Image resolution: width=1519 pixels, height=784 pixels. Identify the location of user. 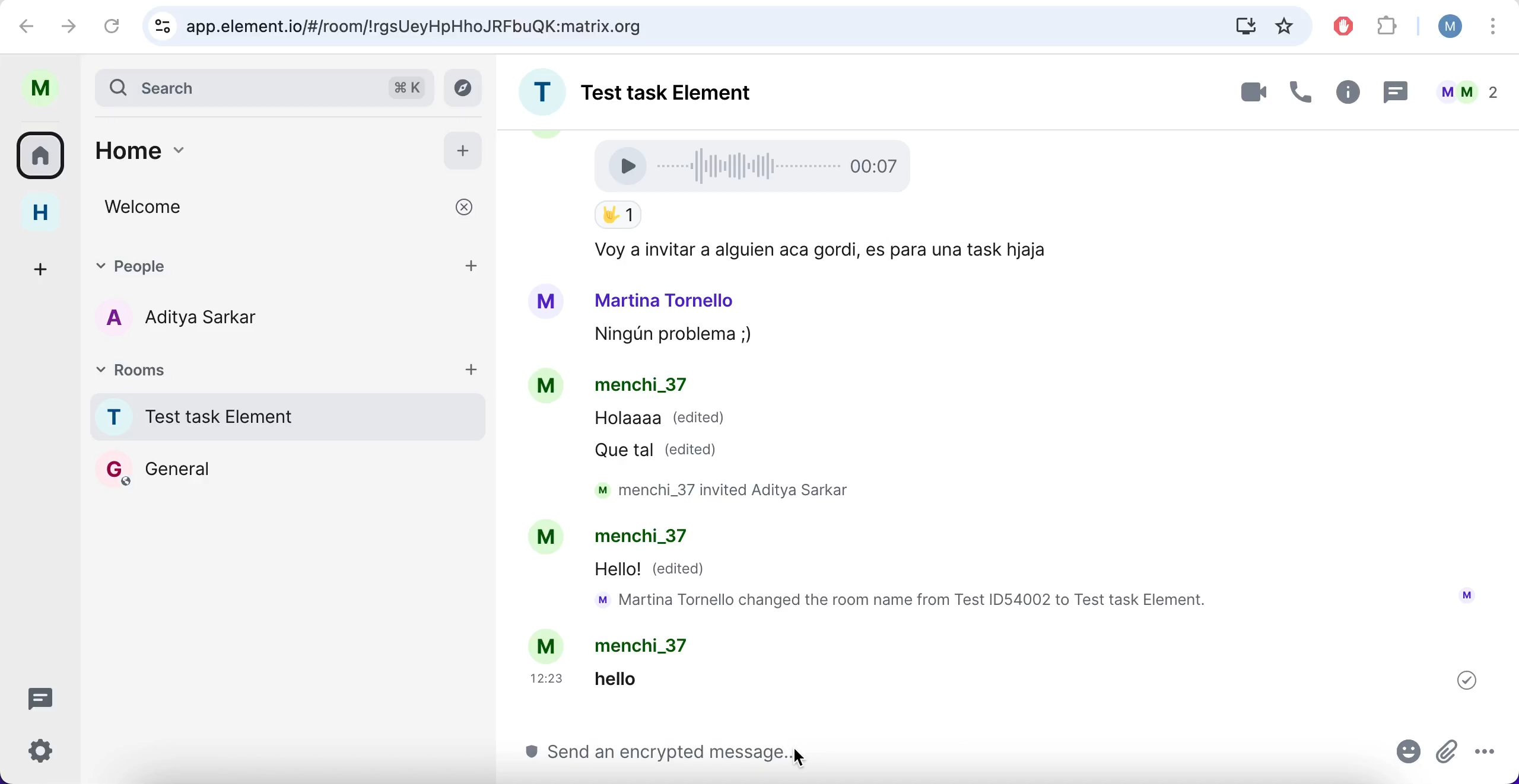
(46, 88).